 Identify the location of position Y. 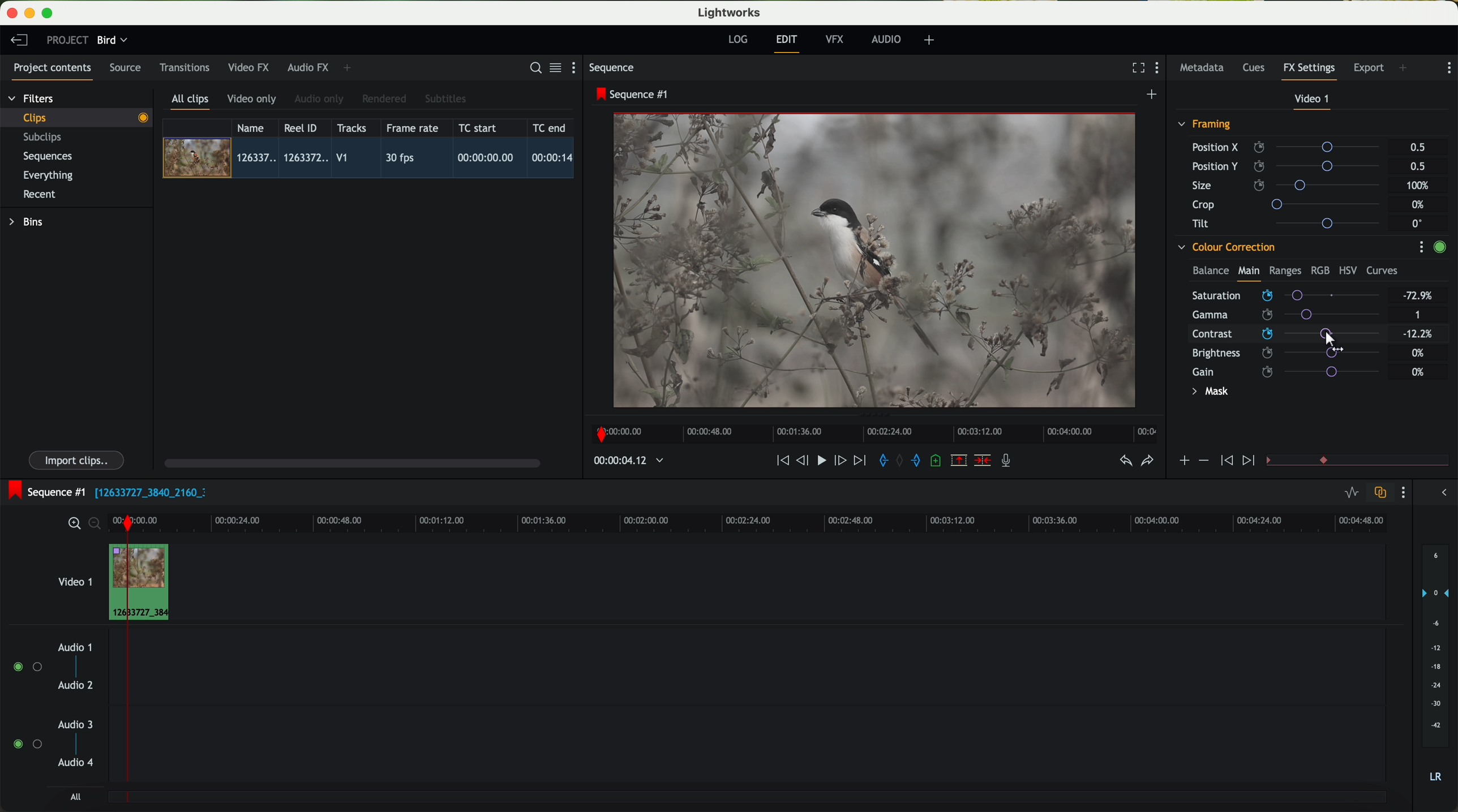
(1290, 166).